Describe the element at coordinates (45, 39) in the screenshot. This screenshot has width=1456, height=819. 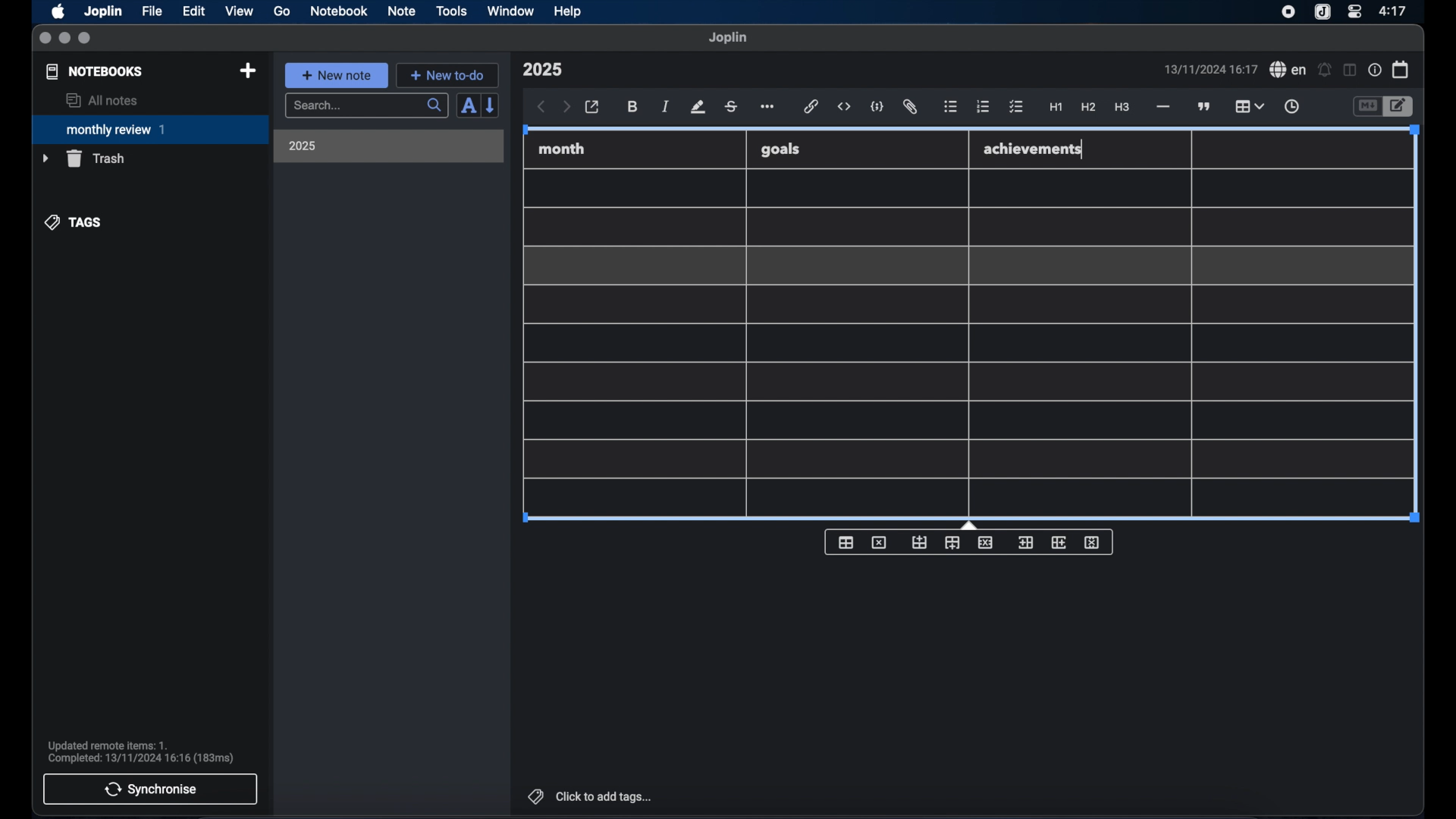
I see `close` at that location.